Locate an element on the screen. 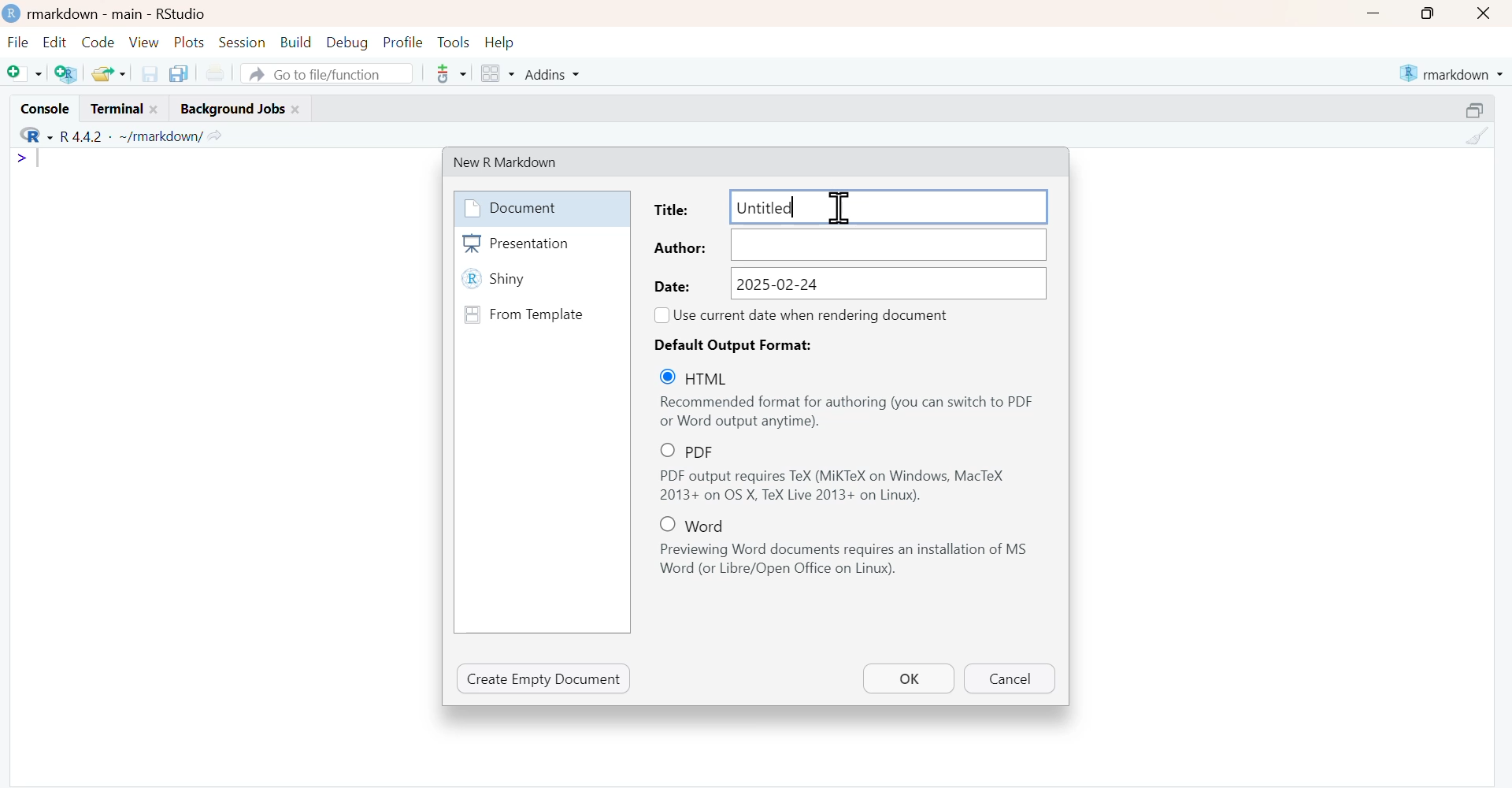  Close is located at coordinates (1485, 13).